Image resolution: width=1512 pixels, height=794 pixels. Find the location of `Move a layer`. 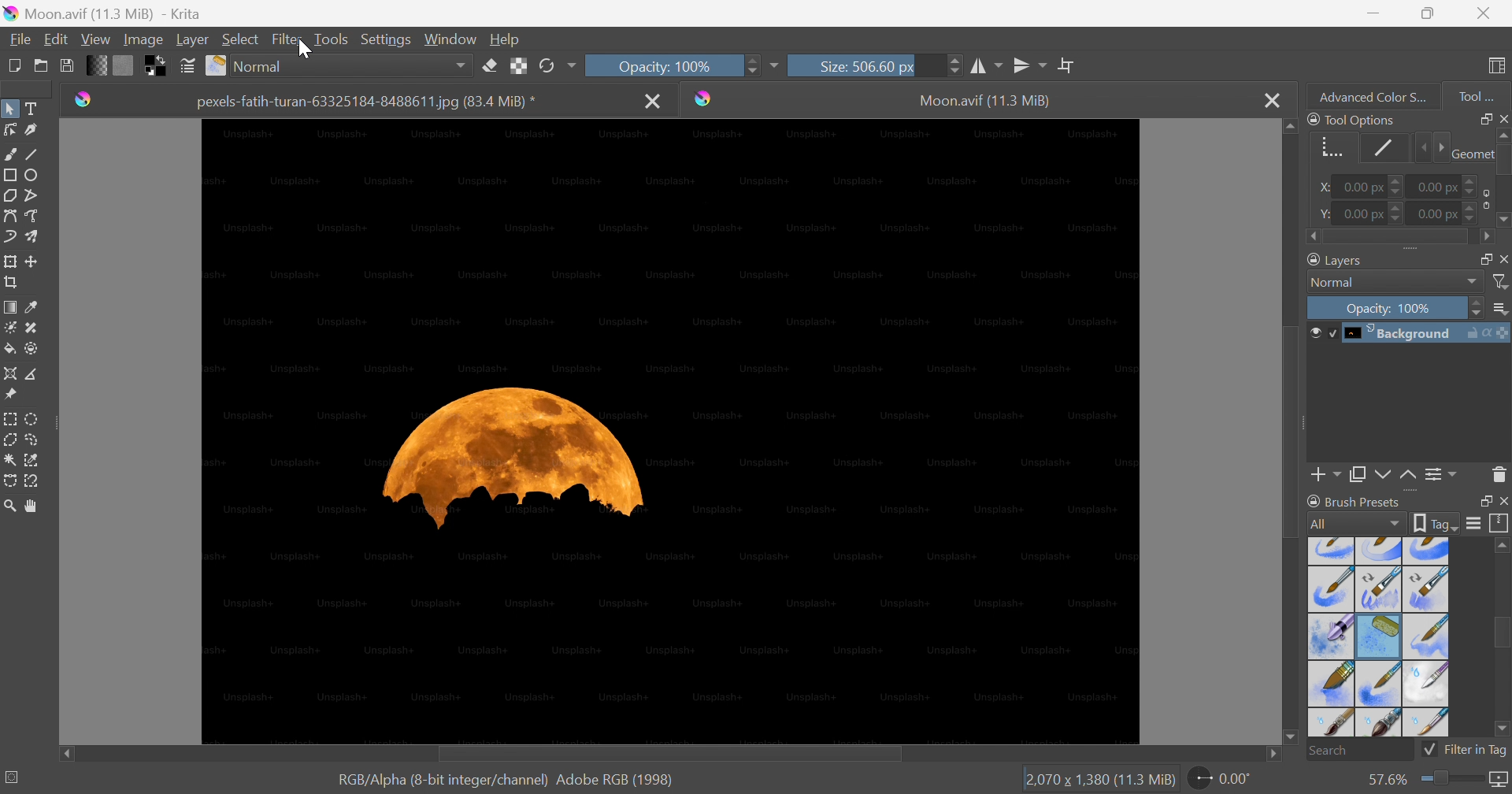

Move a layer is located at coordinates (32, 259).